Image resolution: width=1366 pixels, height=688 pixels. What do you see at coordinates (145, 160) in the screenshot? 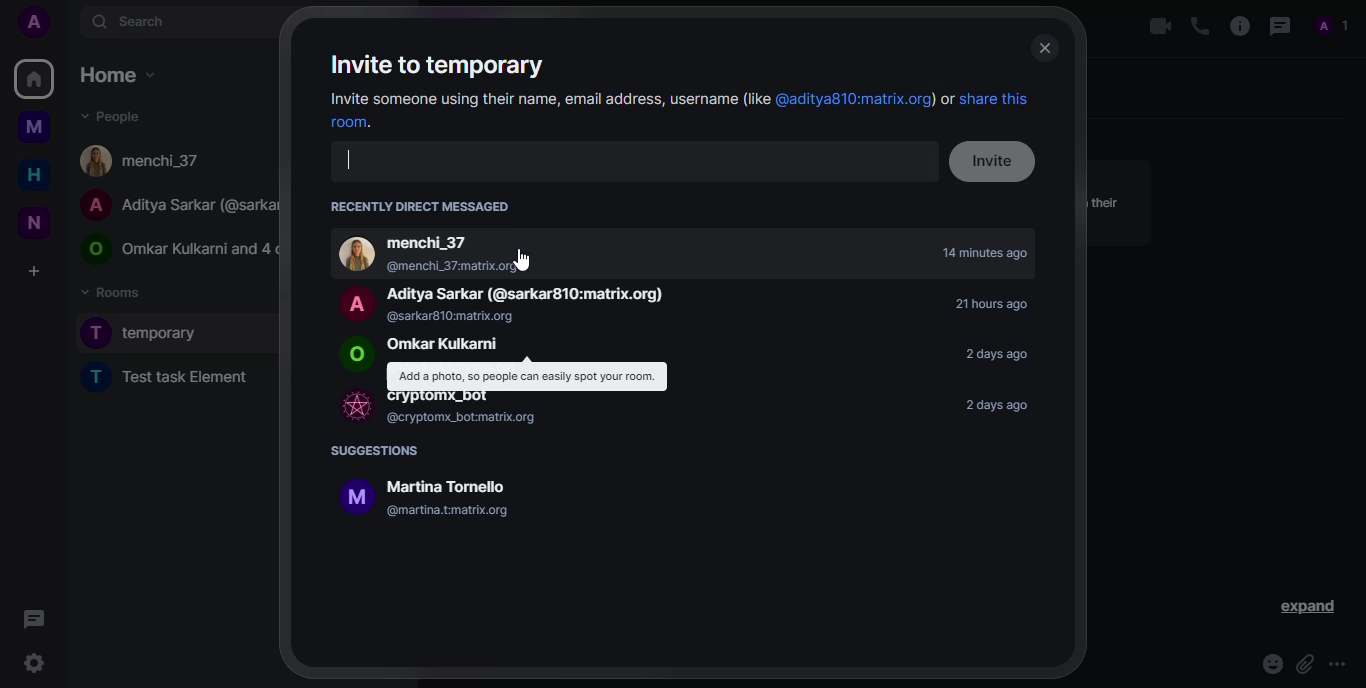
I see `people` at bounding box center [145, 160].